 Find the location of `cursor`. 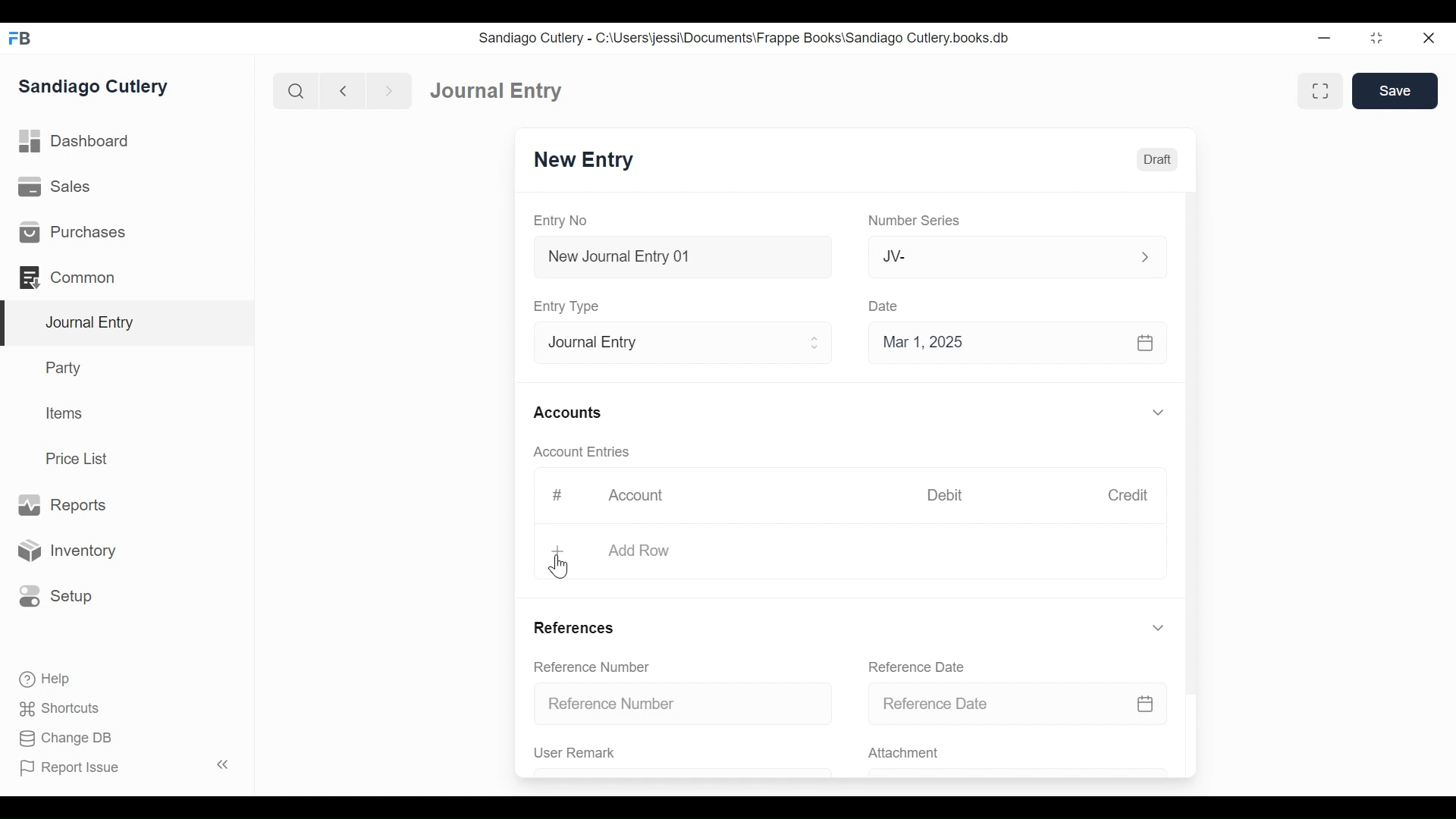

cursor is located at coordinates (560, 569).